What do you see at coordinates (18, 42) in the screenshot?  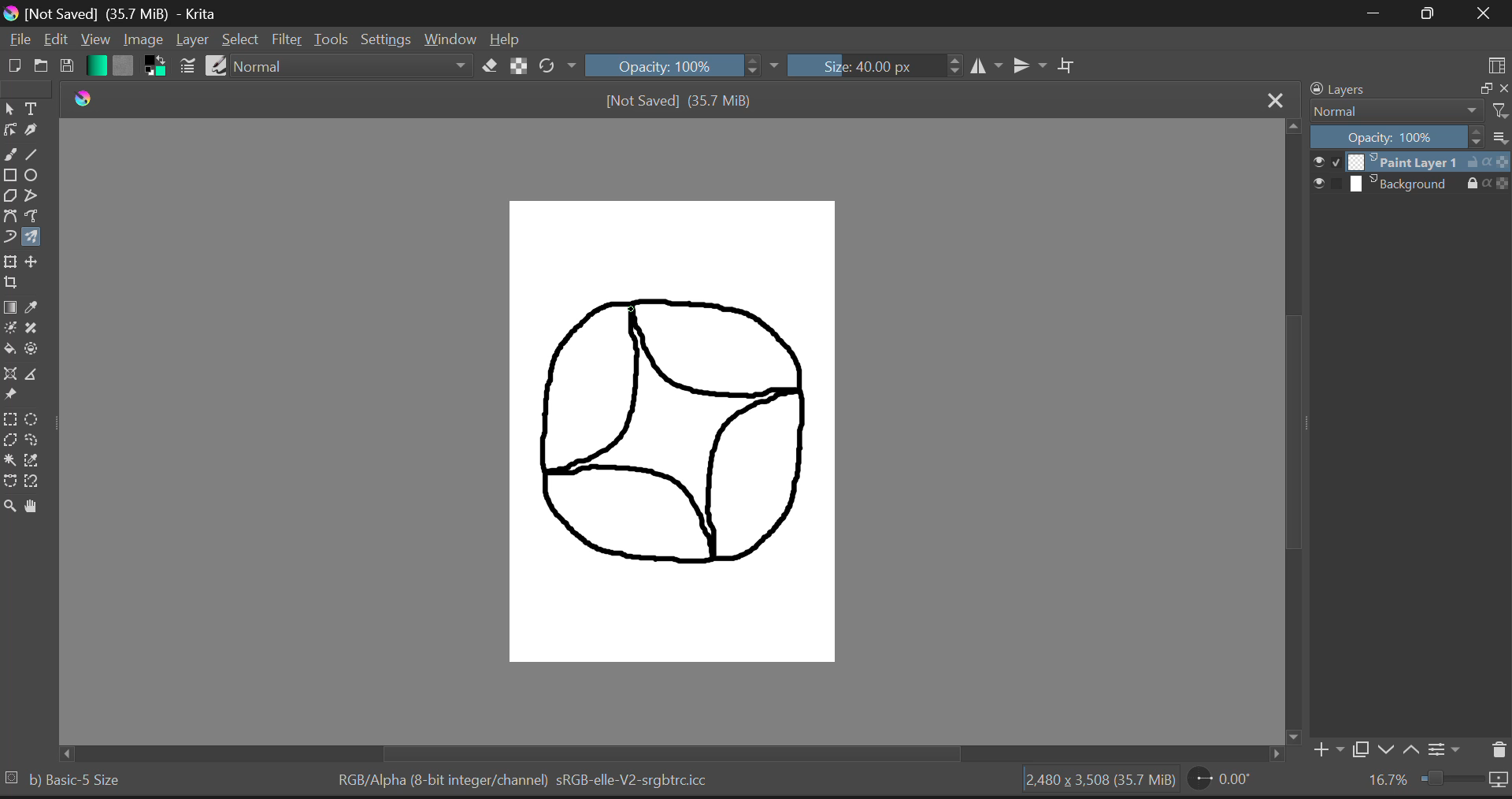 I see `File` at bounding box center [18, 42].